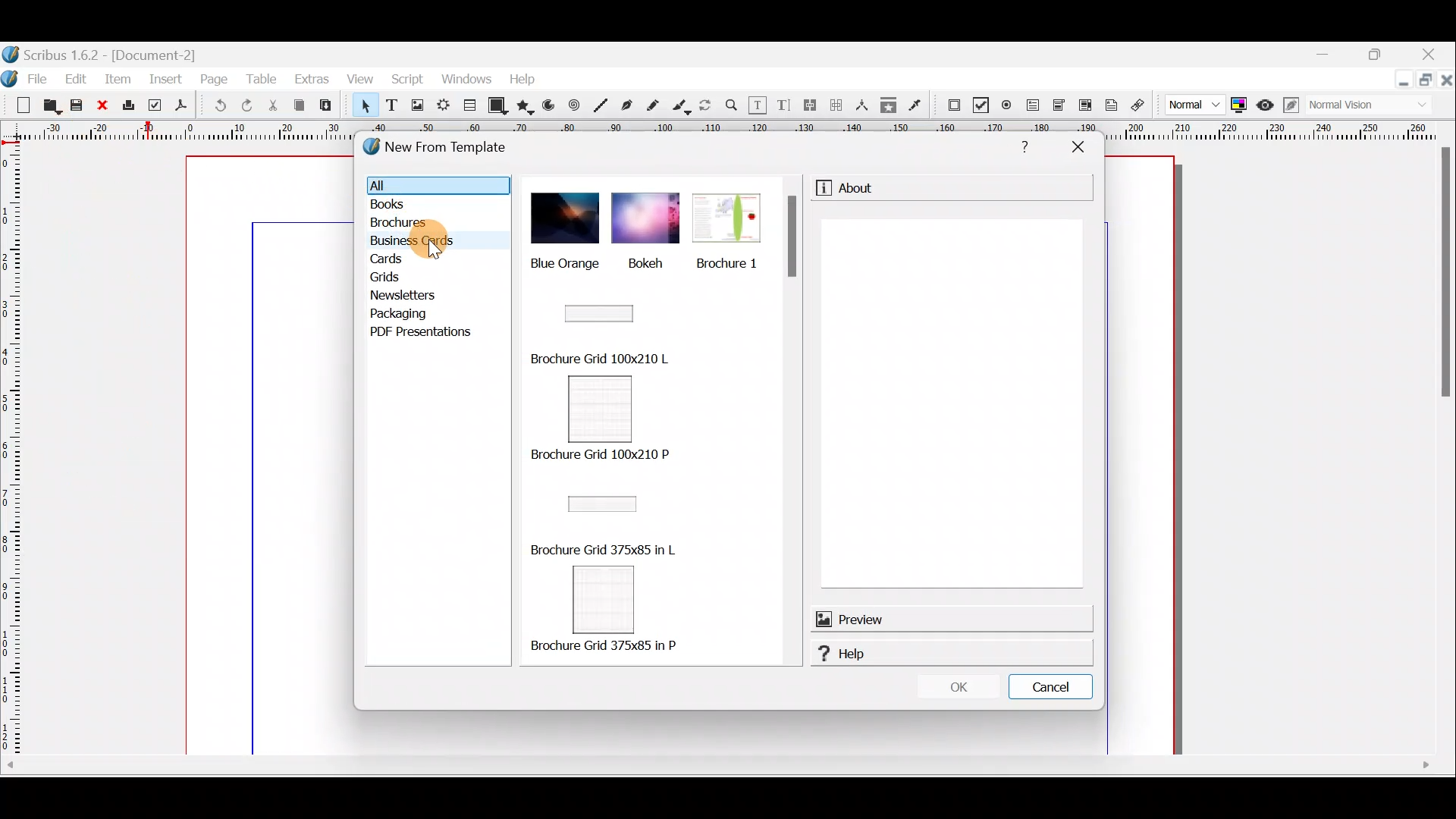 The width and height of the screenshot is (1456, 819). What do you see at coordinates (1137, 106) in the screenshot?
I see `Link annotation` at bounding box center [1137, 106].